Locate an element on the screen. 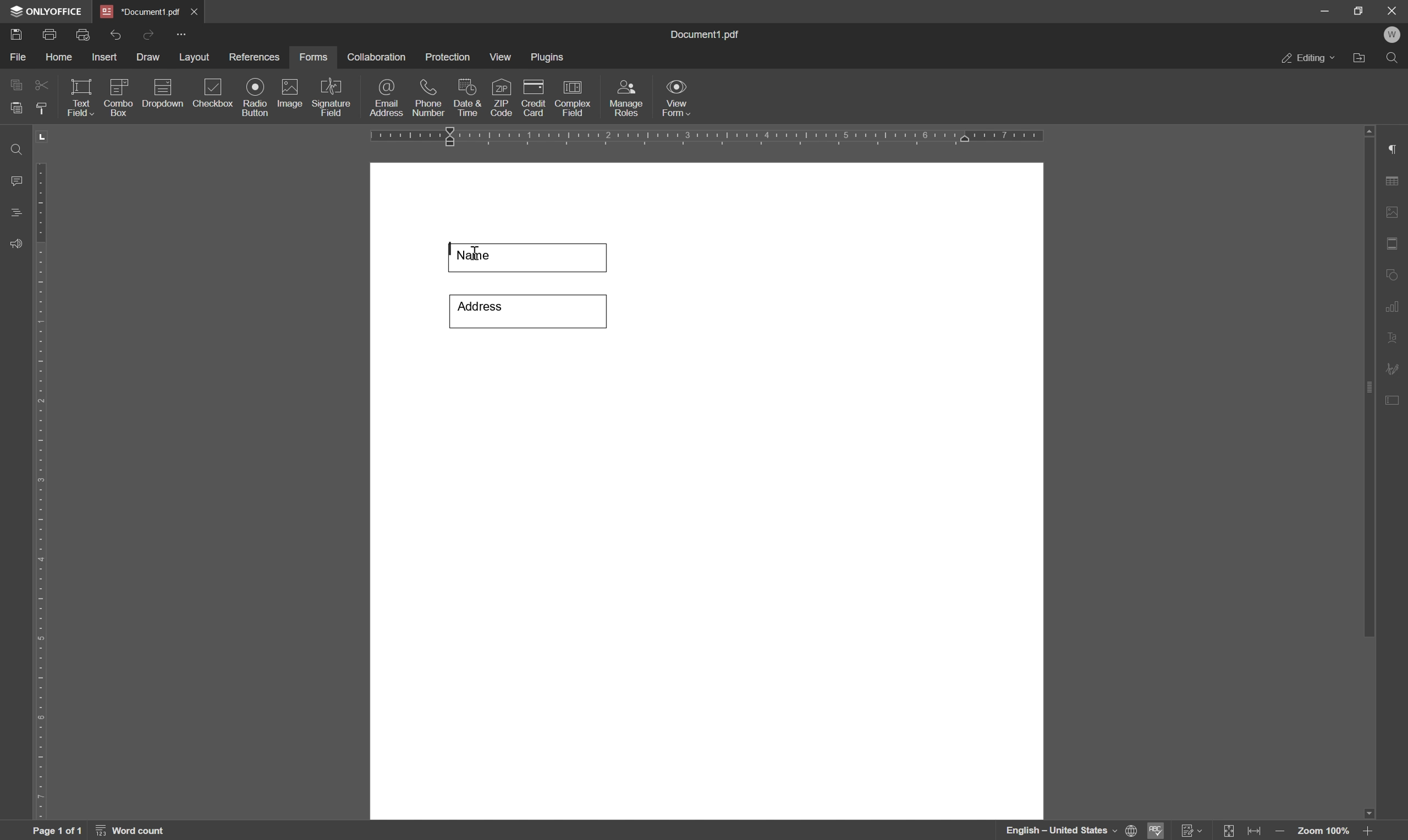 This screenshot has width=1408, height=840. undo is located at coordinates (115, 32).